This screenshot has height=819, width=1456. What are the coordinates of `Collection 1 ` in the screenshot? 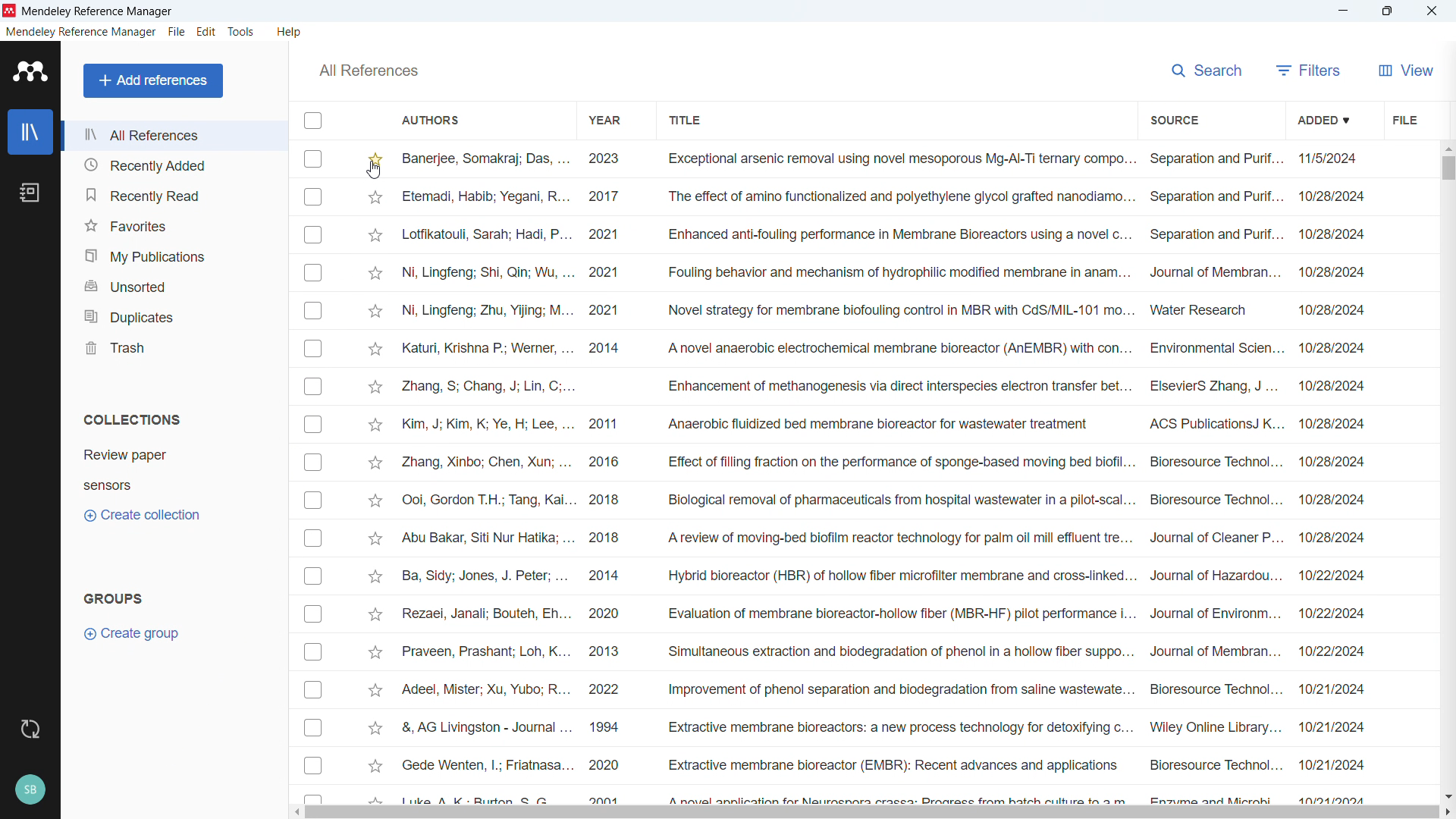 It's located at (124, 456).